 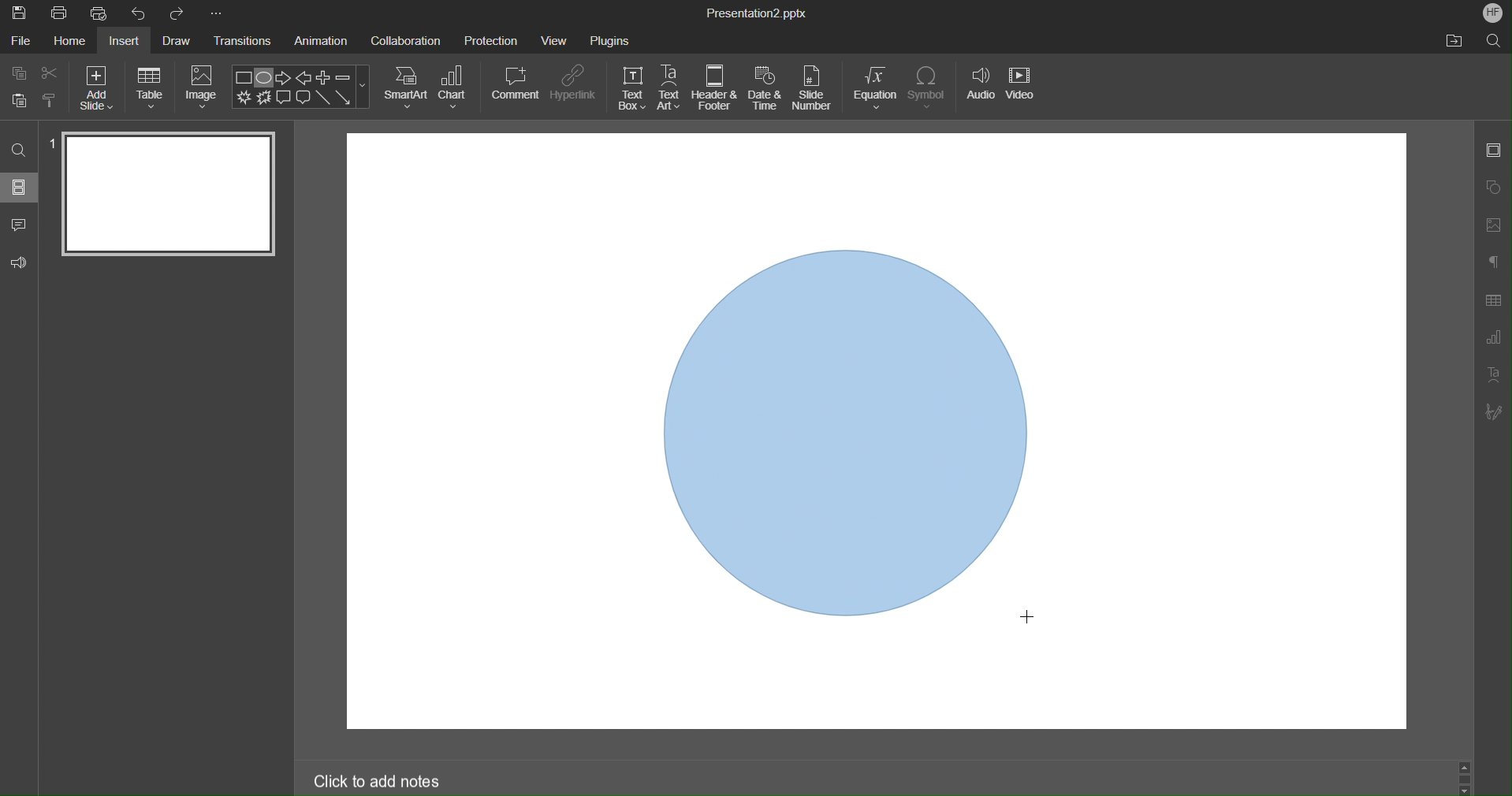 I want to click on Presentation2, so click(x=755, y=15).